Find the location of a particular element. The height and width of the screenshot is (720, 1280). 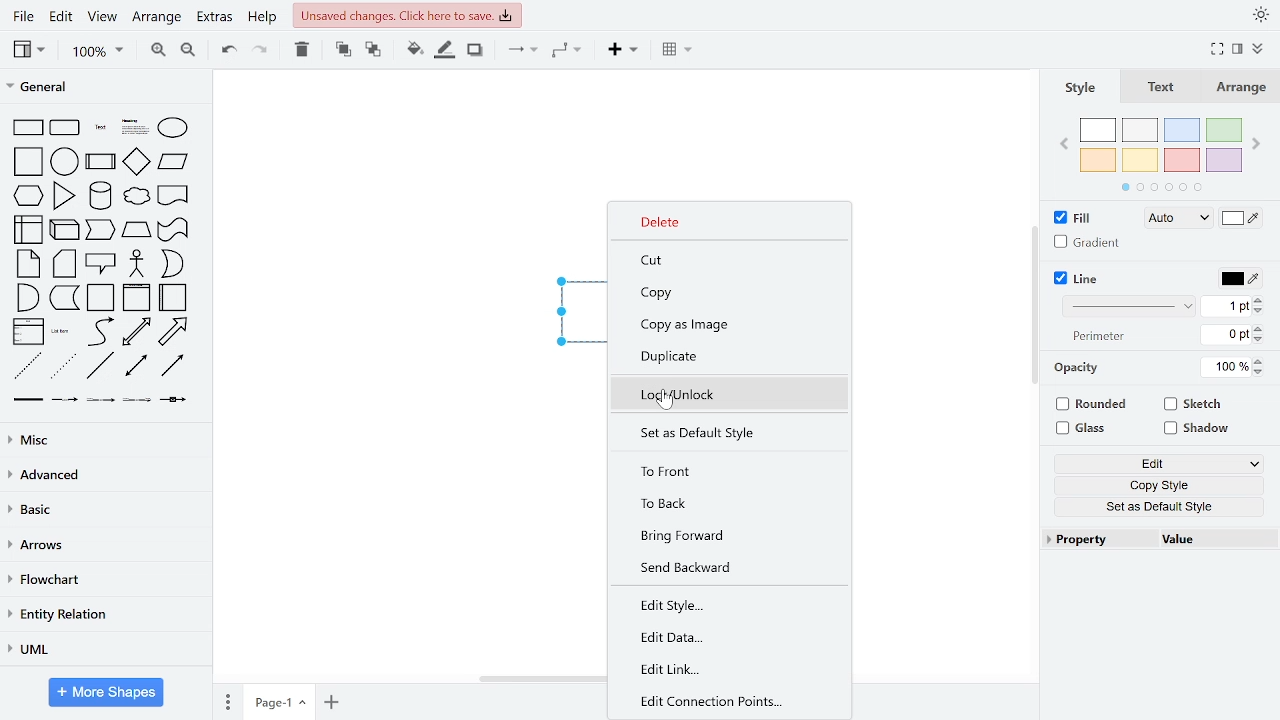

white is located at coordinates (1097, 130).